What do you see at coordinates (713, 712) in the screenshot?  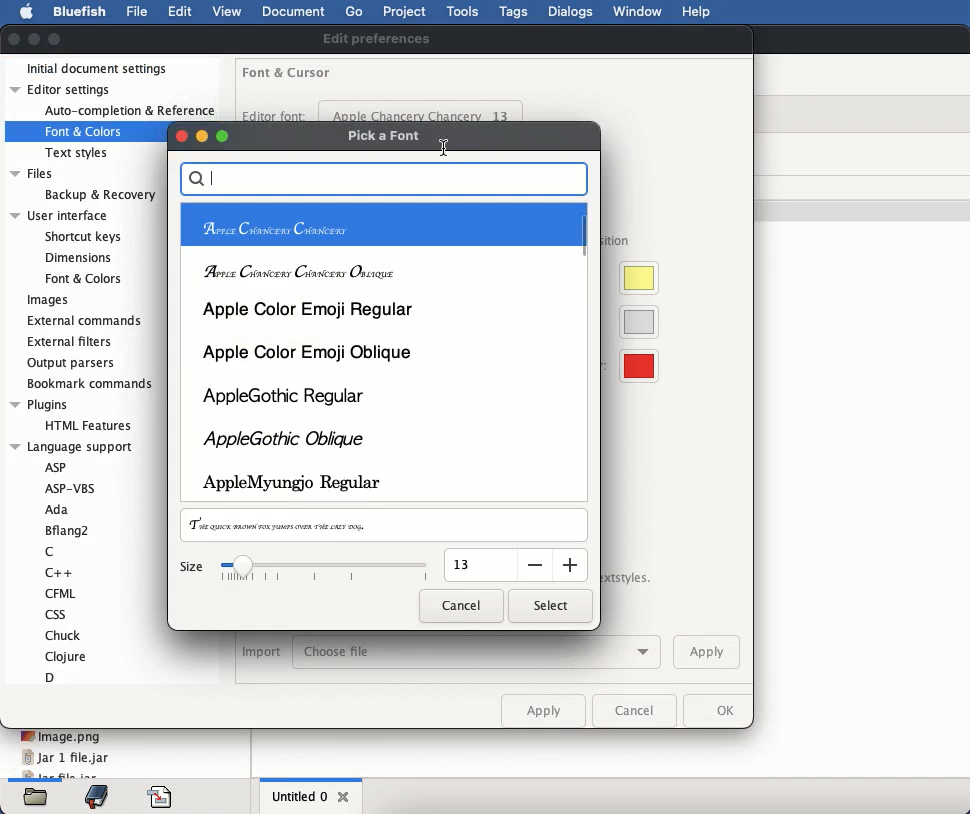 I see `ok` at bounding box center [713, 712].